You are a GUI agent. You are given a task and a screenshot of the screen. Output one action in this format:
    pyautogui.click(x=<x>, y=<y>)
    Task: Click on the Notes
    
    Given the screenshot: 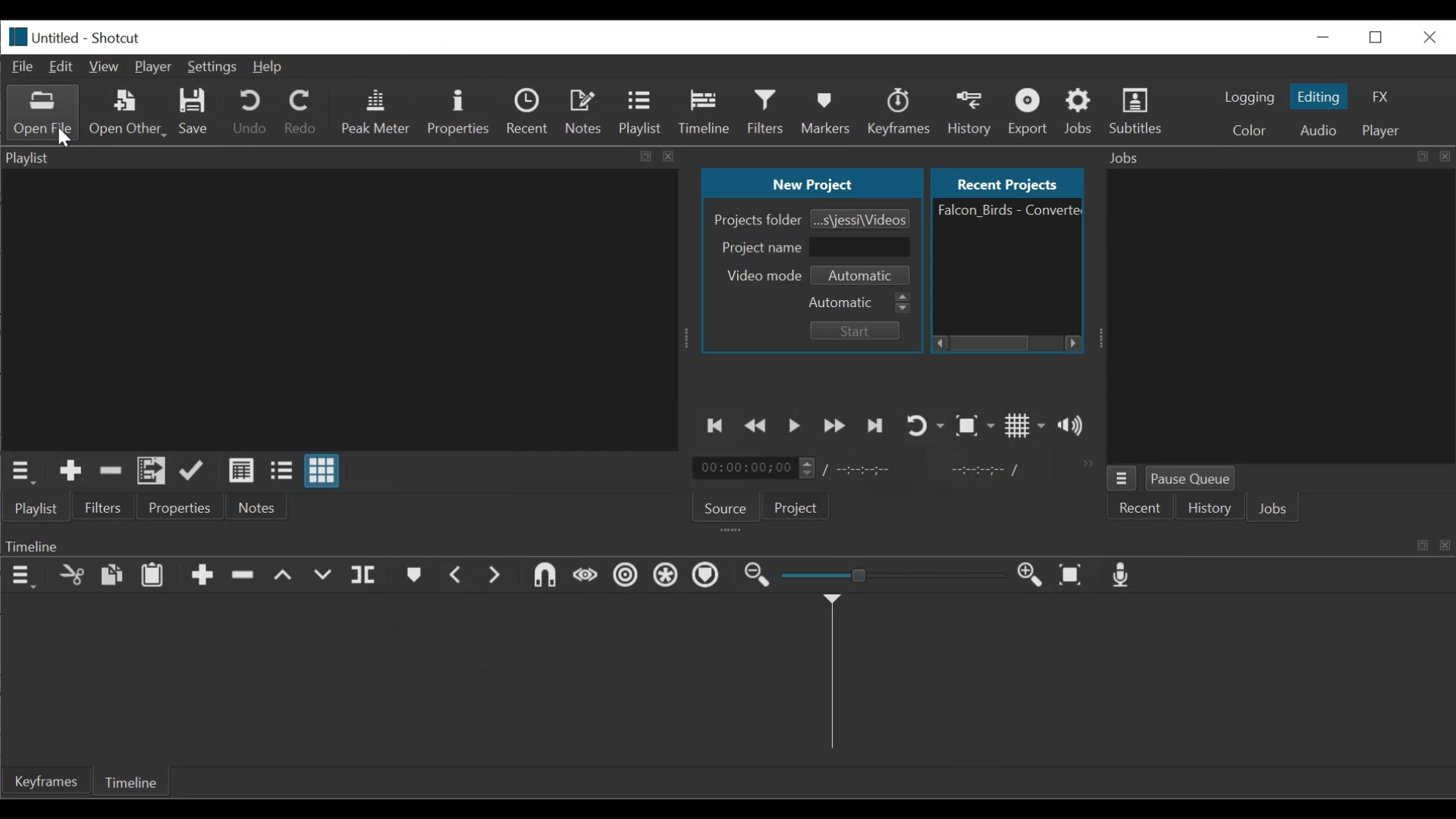 What is the action you would take?
    pyautogui.click(x=256, y=507)
    